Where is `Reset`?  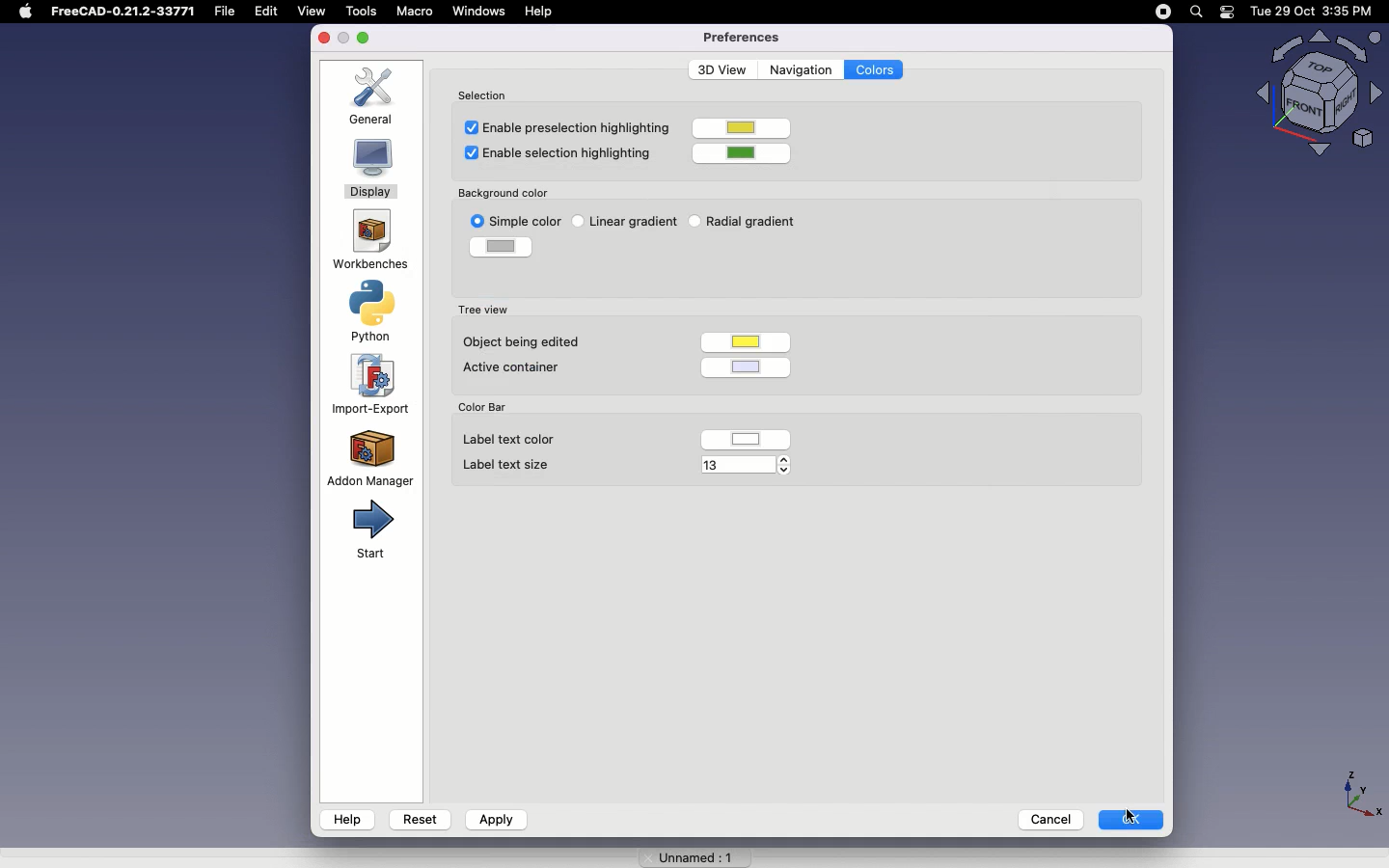 Reset is located at coordinates (421, 817).